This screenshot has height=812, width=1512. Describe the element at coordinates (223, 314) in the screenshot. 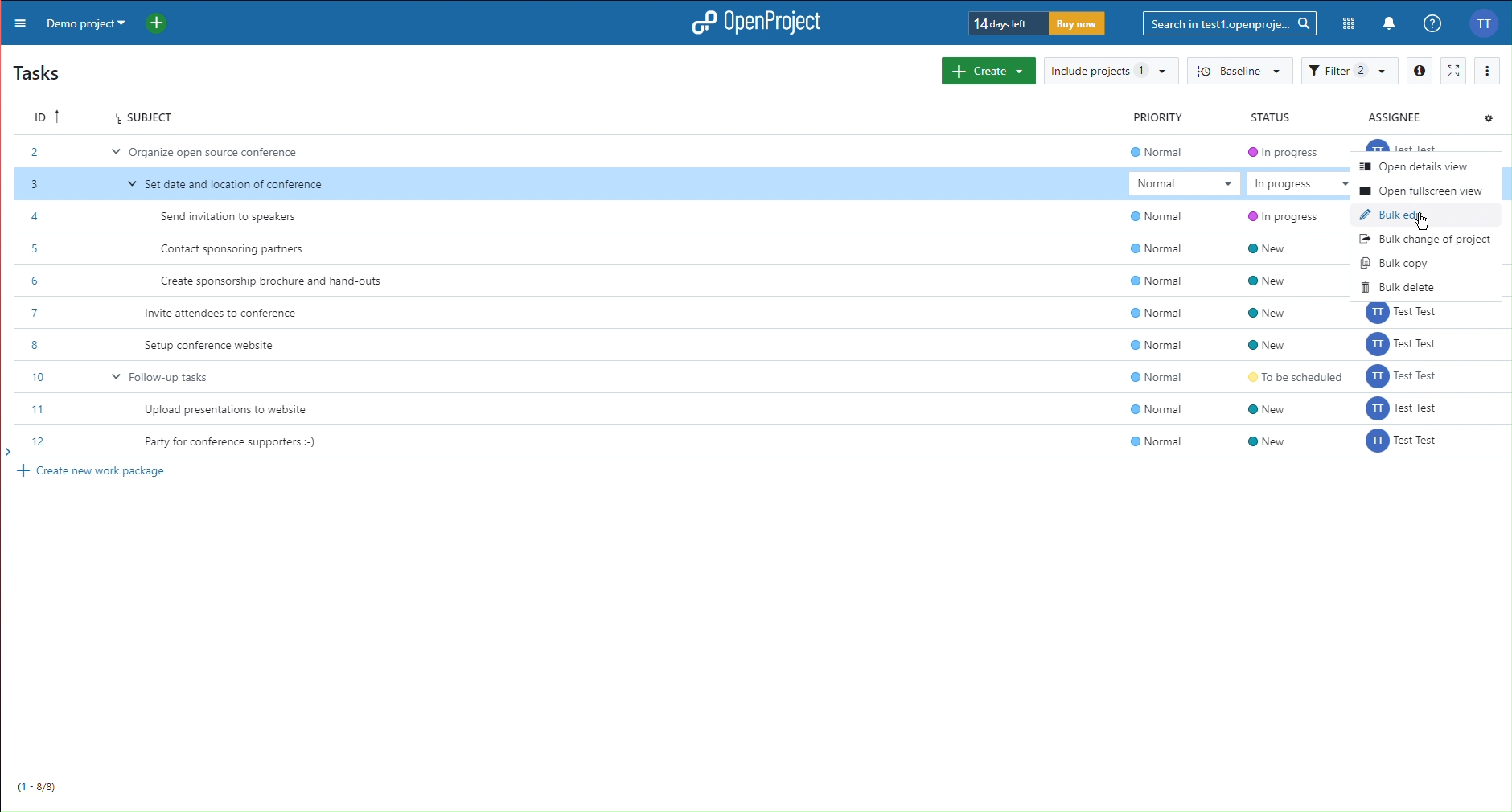

I see `Invite attendees to conference` at that location.